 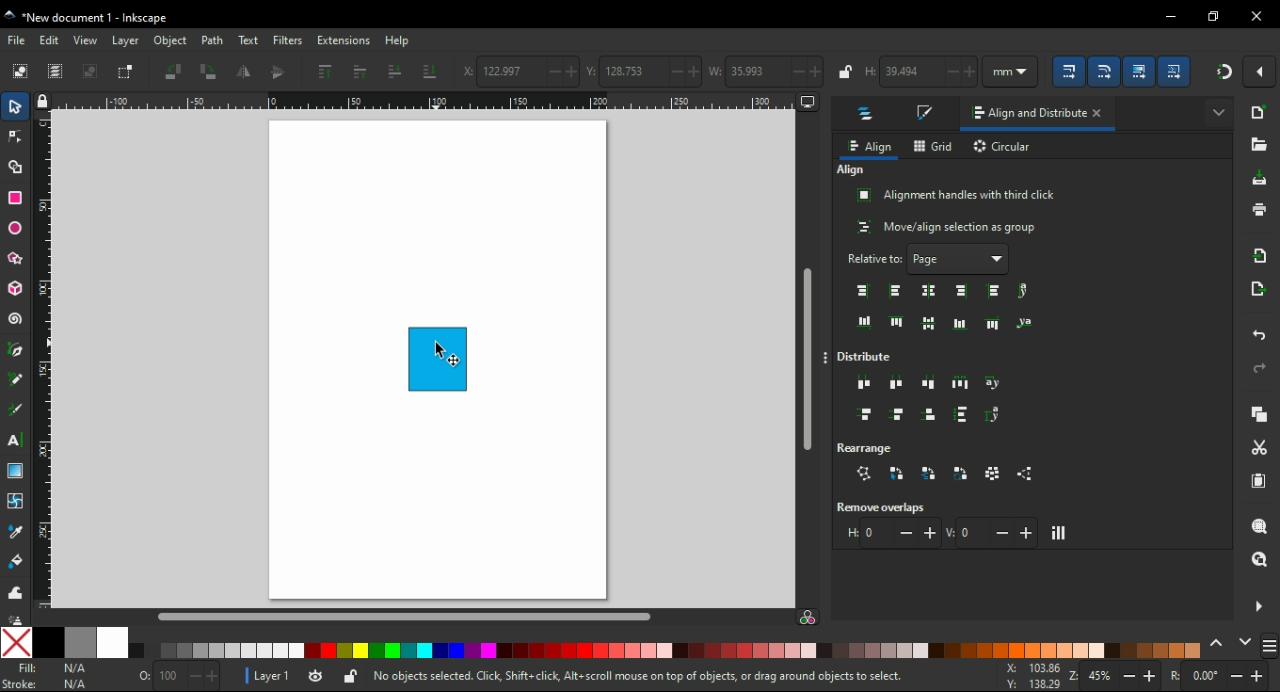 What do you see at coordinates (270, 675) in the screenshot?
I see `Layer 1` at bounding box center [270, 675].